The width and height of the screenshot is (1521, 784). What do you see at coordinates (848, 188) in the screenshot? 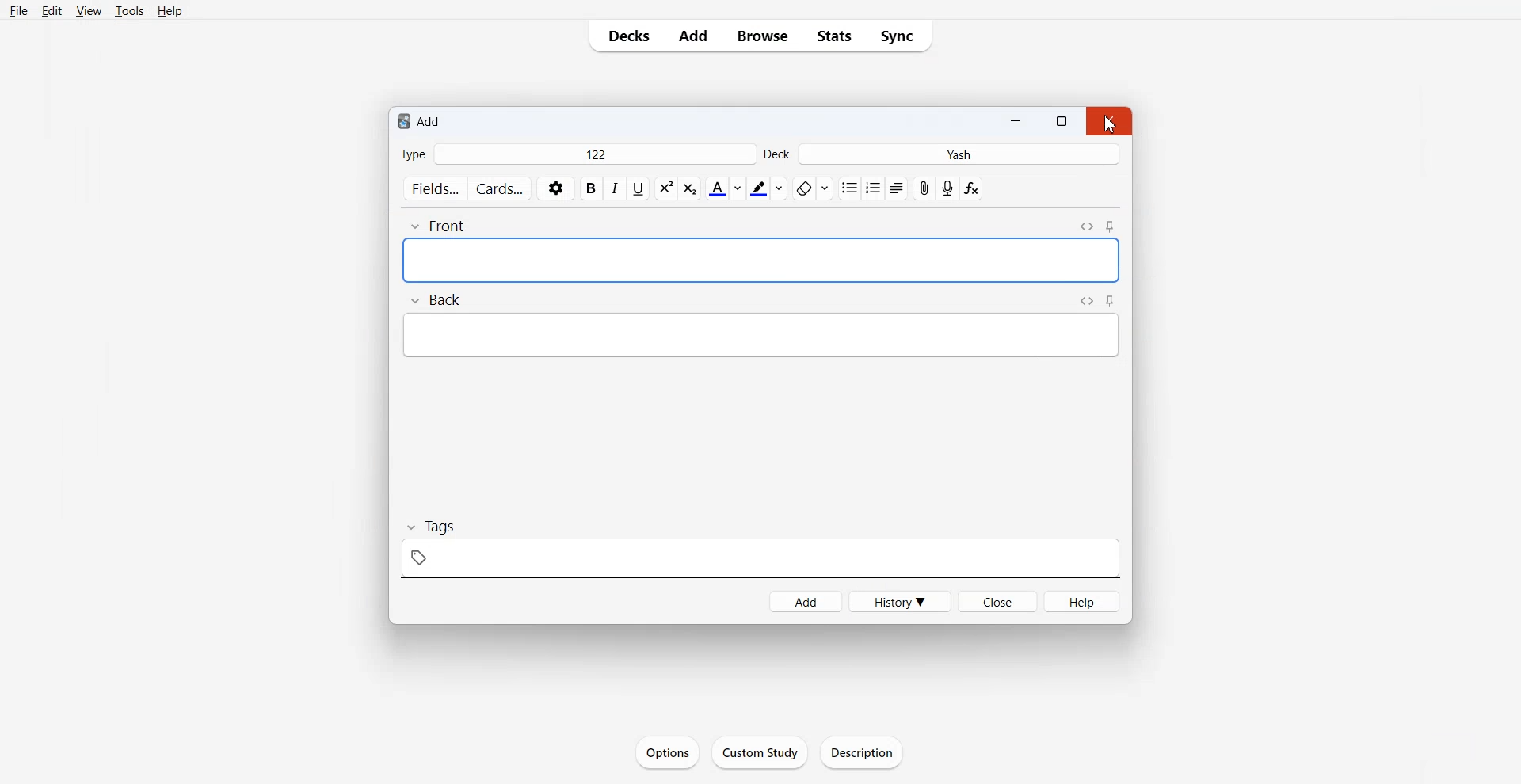
I see `Unordered list` at bounding box center [848, 188].